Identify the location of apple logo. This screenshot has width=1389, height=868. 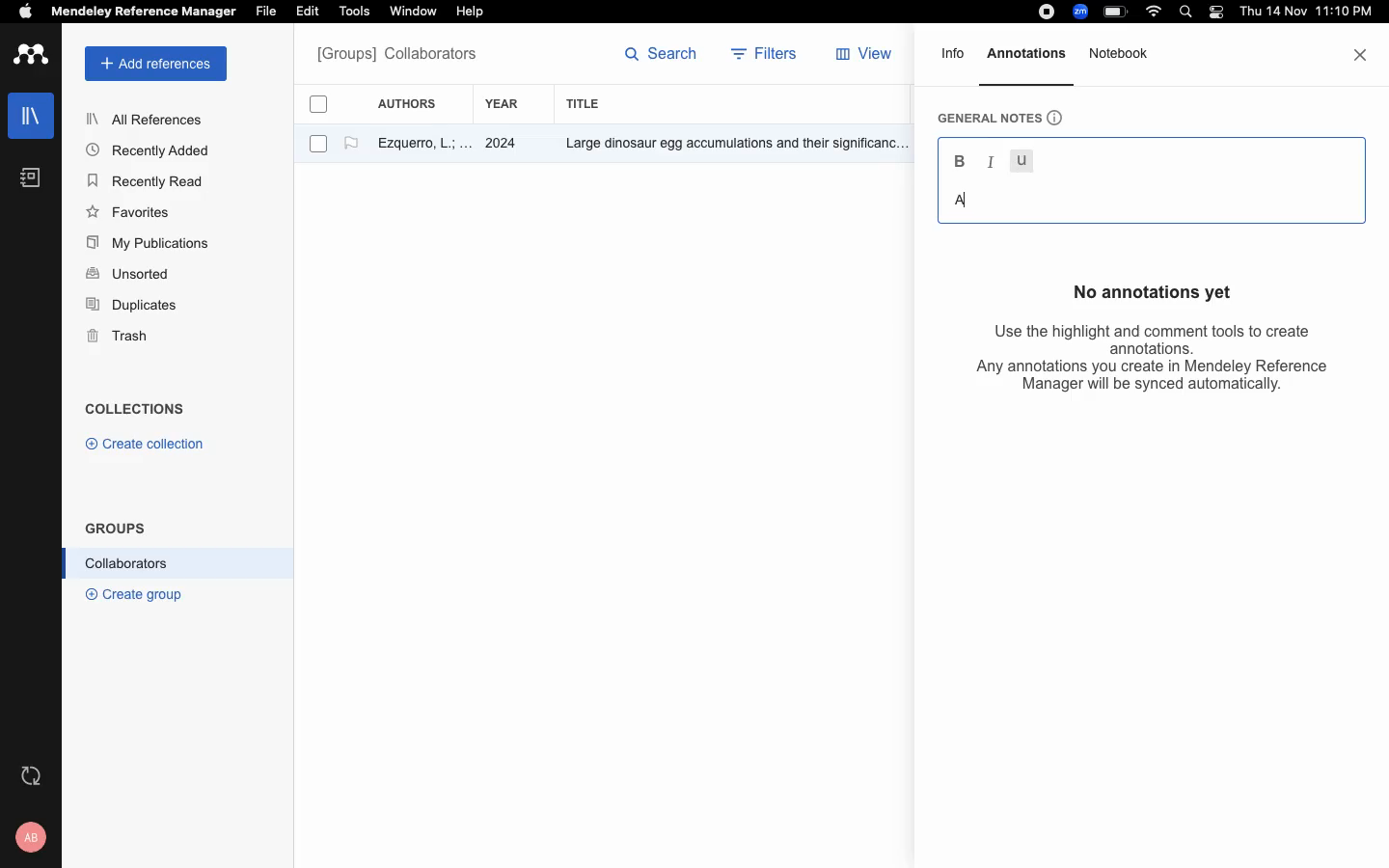
(26, 14).